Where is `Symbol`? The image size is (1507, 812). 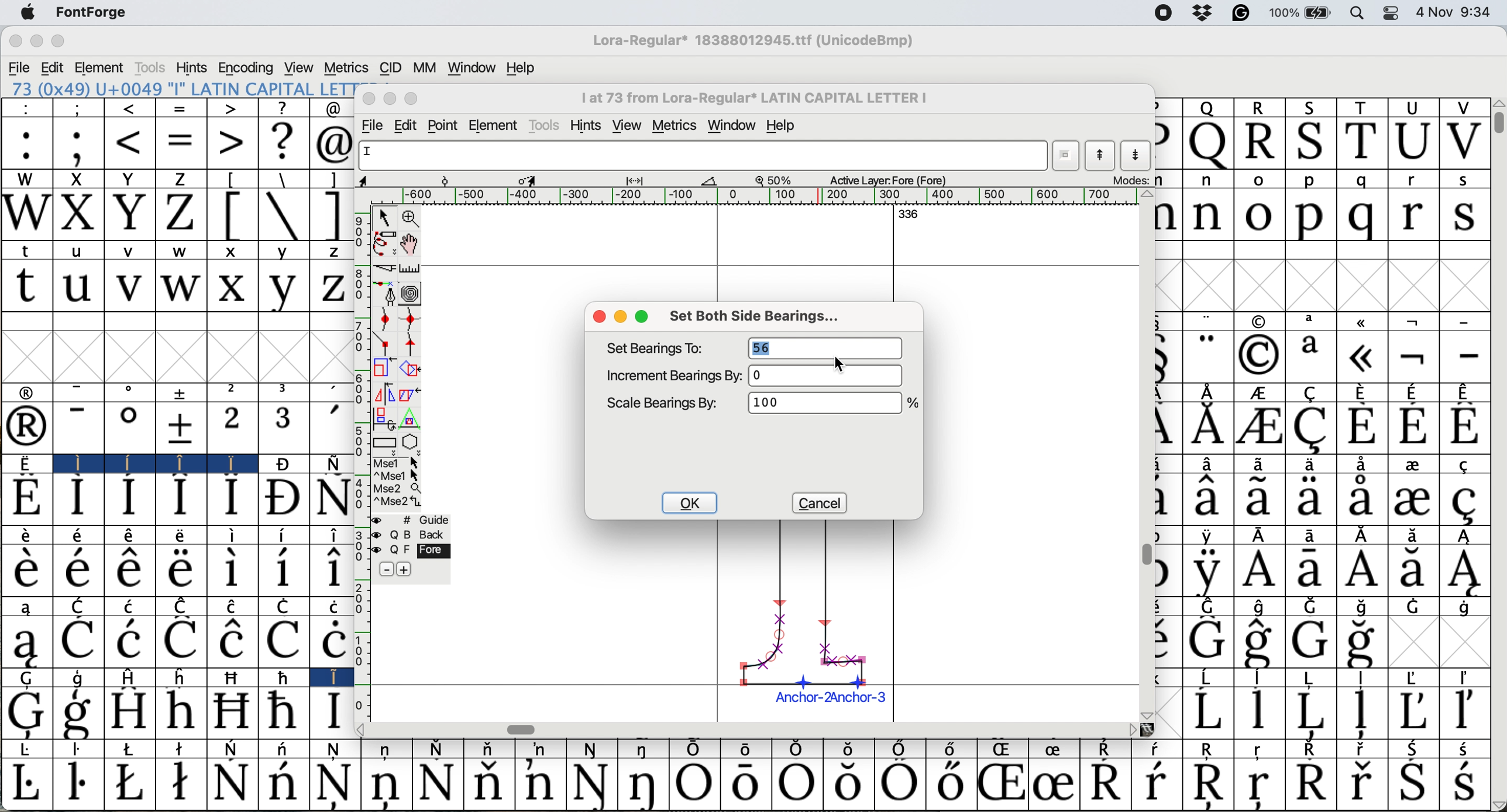
Symbol is located at coordinates (282, 711).